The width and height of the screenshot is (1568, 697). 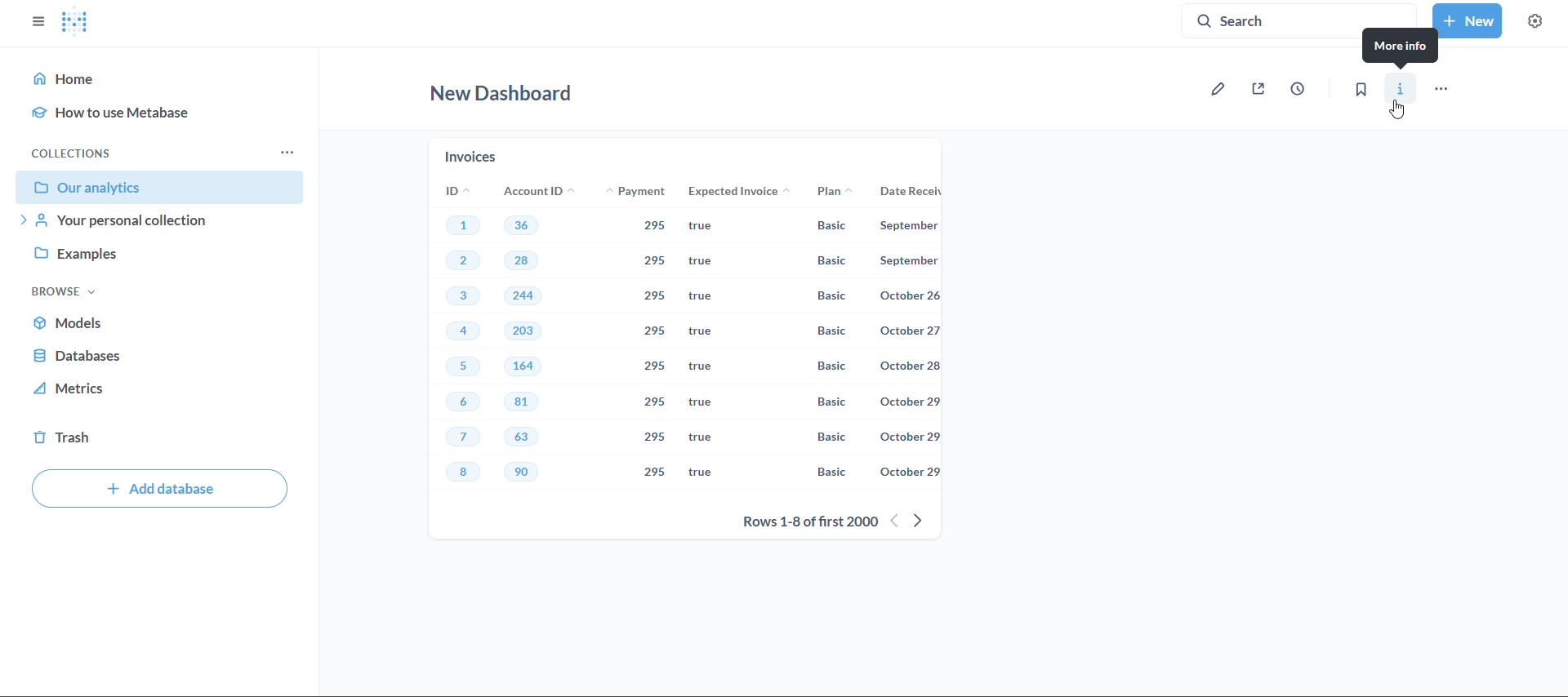 I want to click on more info, so click(x=1402, y=53).